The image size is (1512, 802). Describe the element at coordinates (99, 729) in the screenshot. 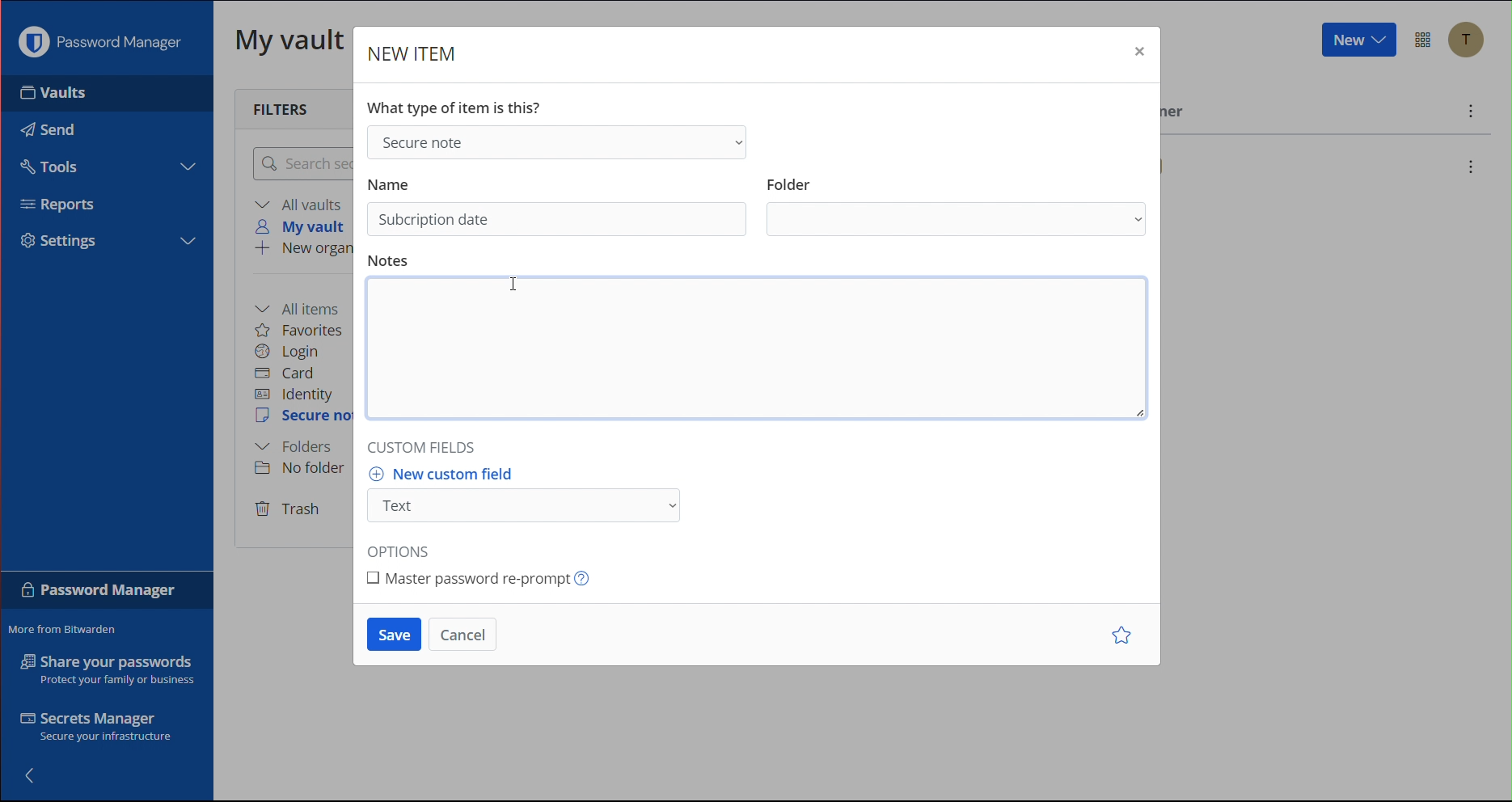

I see `Secrets Manager` at that location.